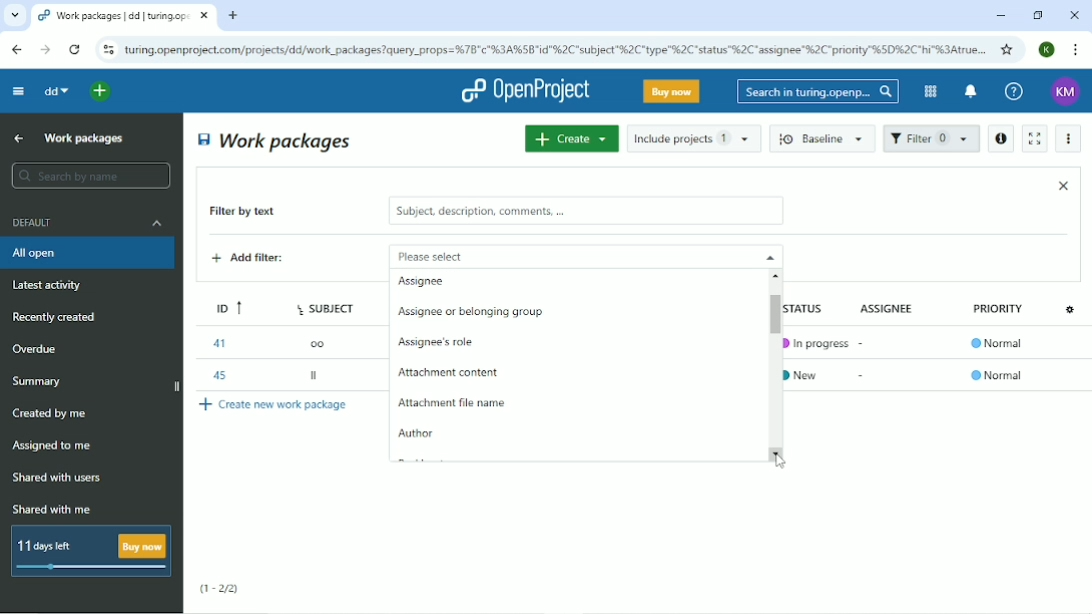 The image size is (1092, 614). I want to click on -, so click(863, 375).